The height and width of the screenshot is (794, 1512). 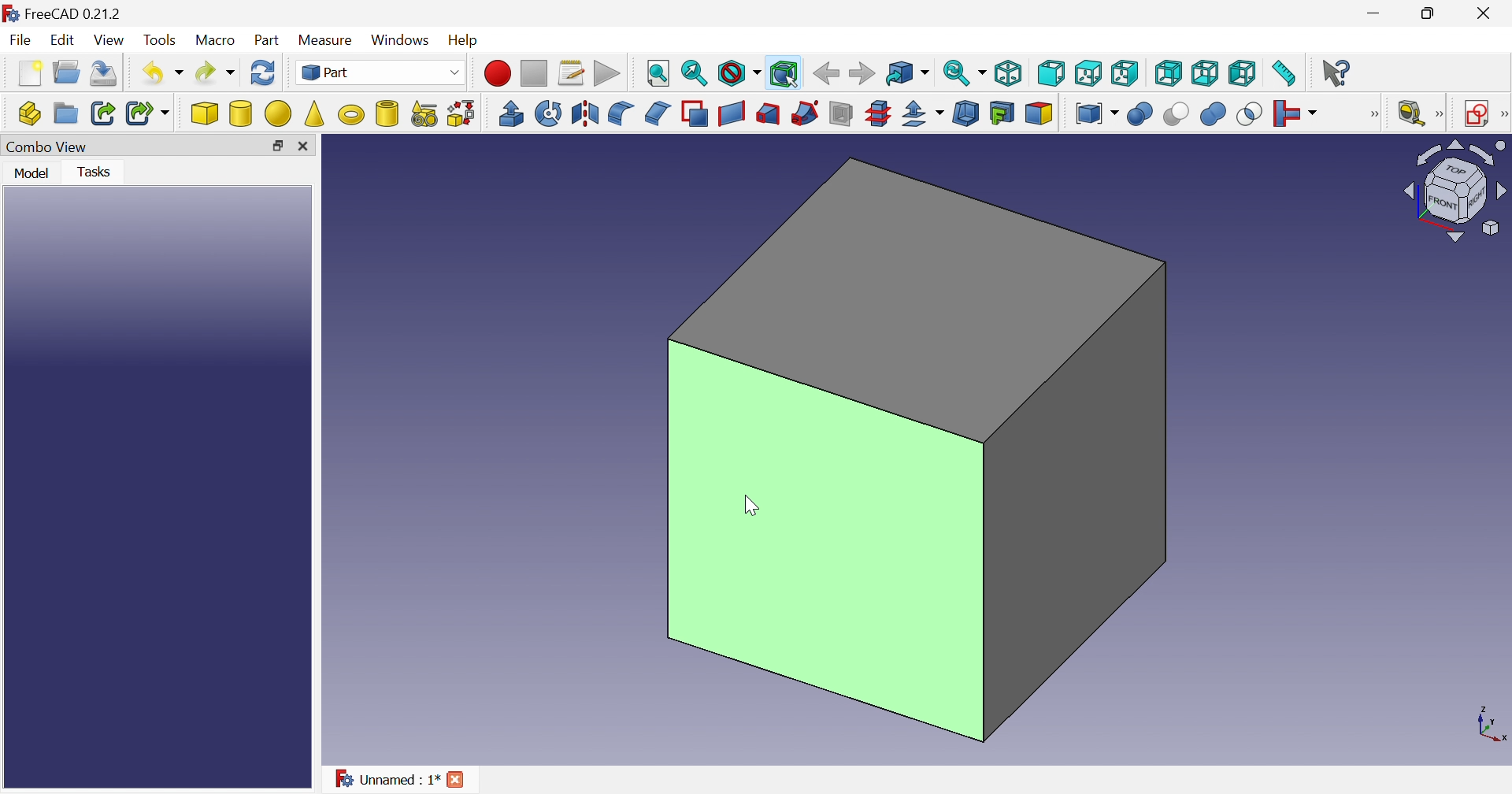 I want to click on Compound tools, so click(x=1096, y=113).